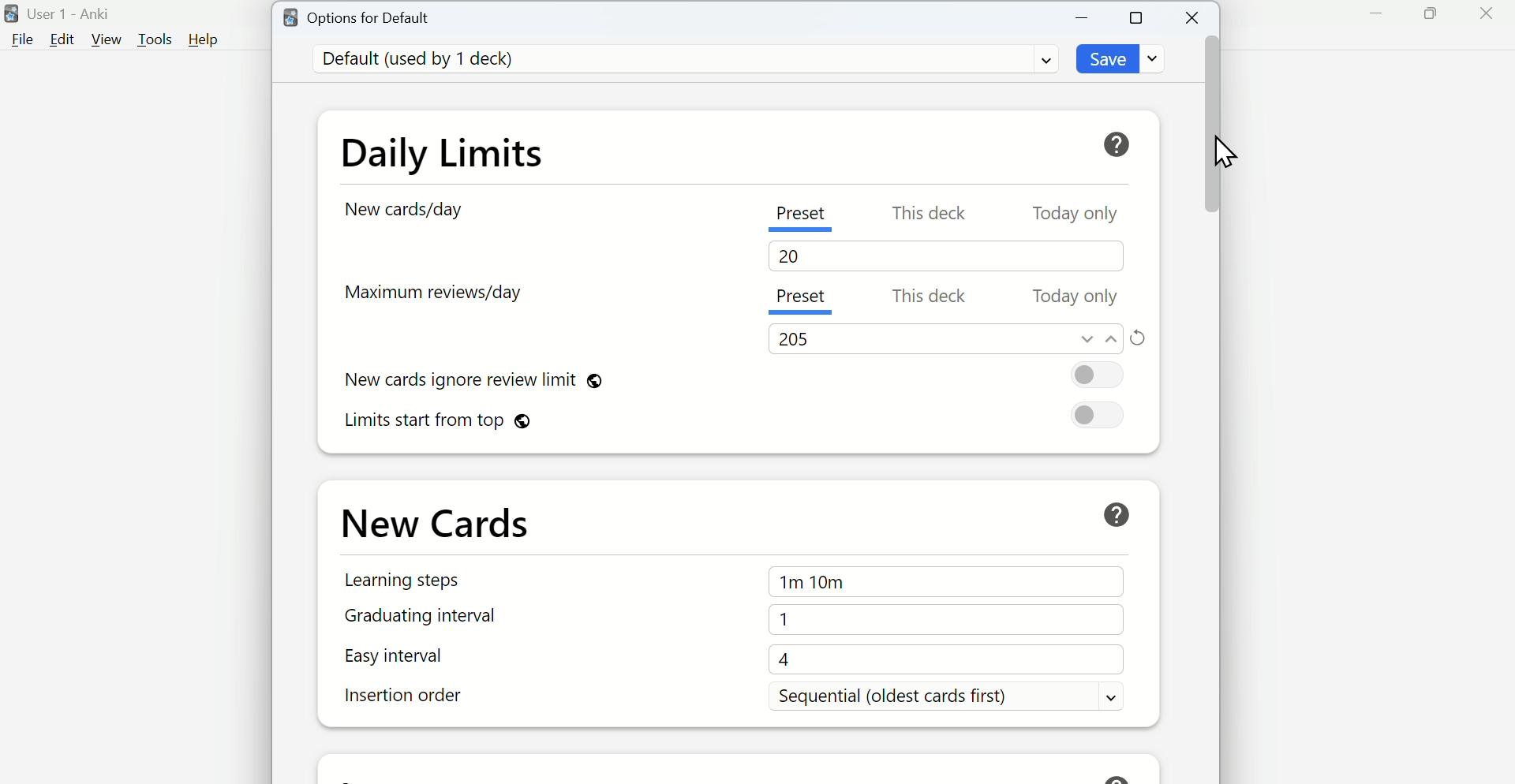  What do you see at coordinates (1077, 297) in the screenshot?
I see `Today only` at bounding box center [1077, 297].